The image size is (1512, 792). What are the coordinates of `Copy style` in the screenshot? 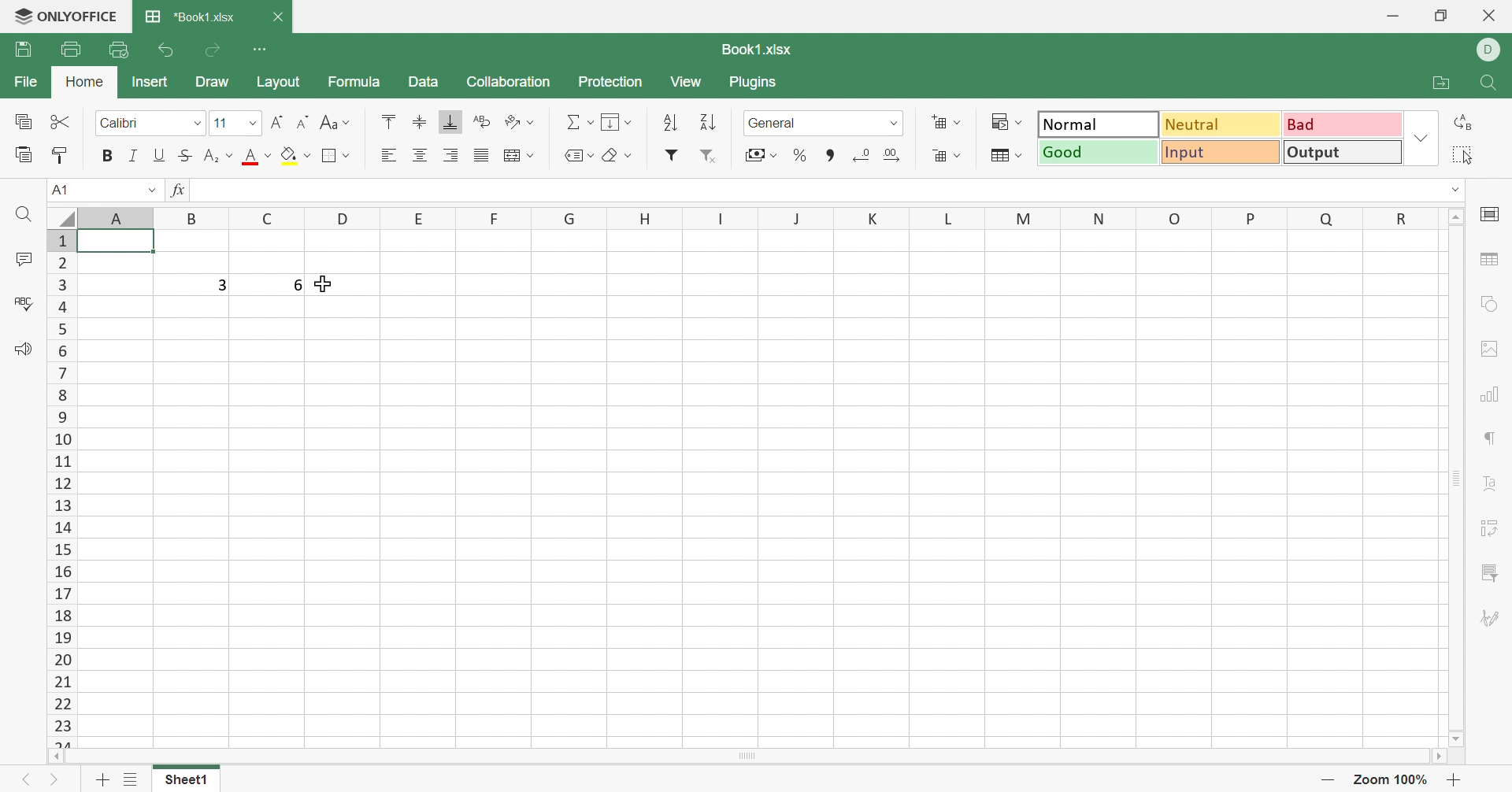 It's located at (57, 154).